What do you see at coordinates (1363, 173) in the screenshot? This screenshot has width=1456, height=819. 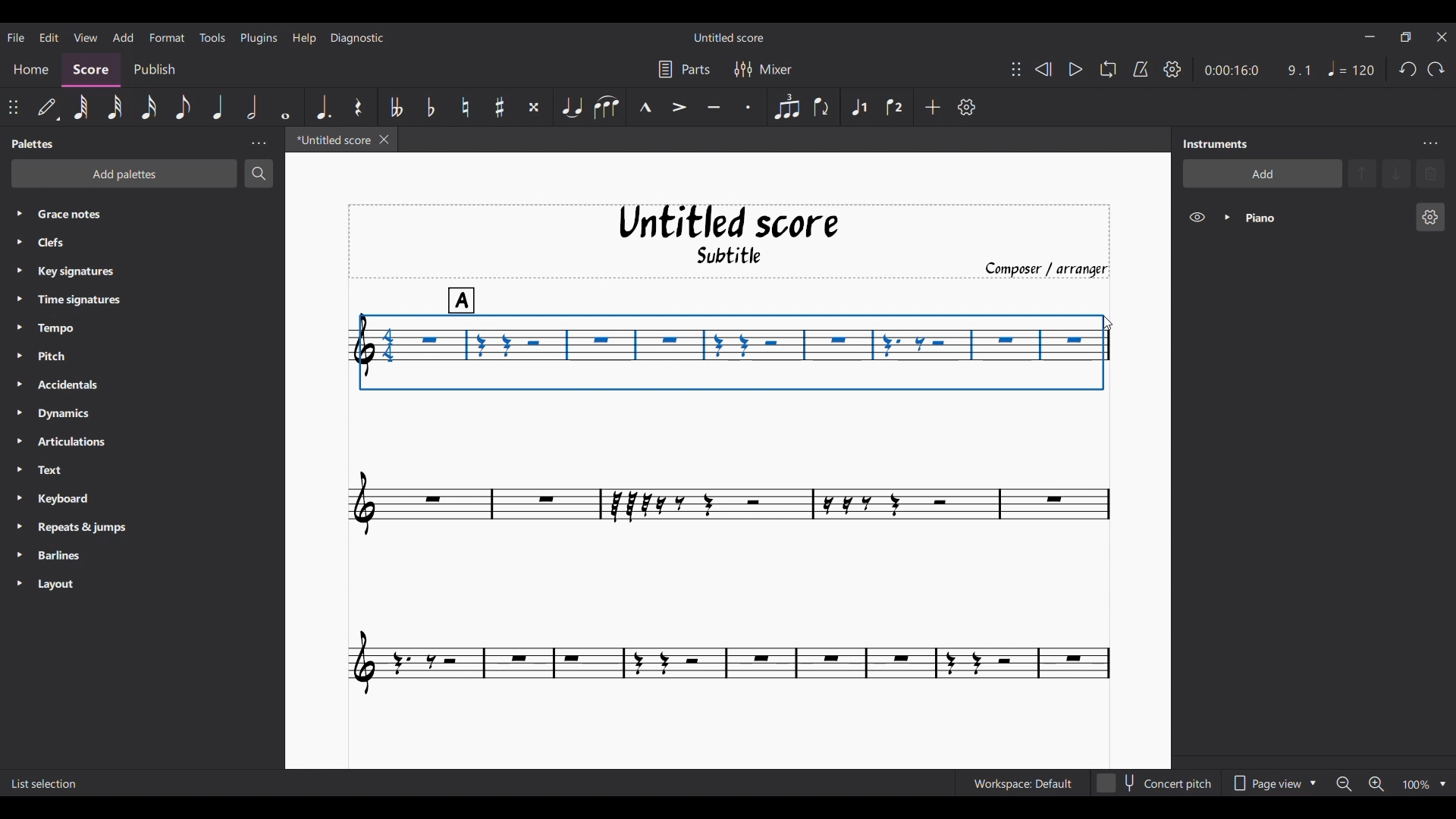 I see `Move instrument up` at bounding box center [1363, 173].